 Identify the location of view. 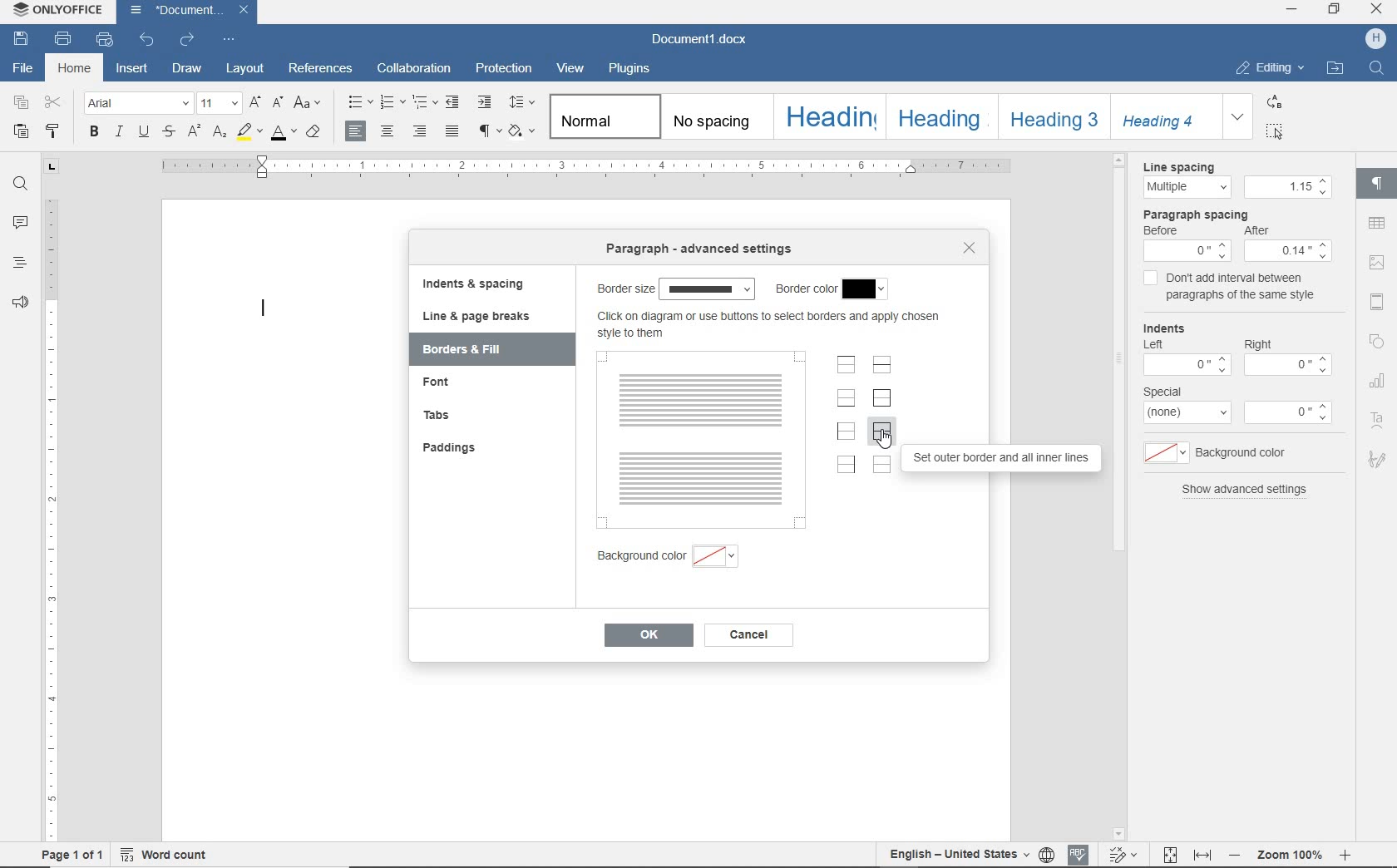
(570, 68).